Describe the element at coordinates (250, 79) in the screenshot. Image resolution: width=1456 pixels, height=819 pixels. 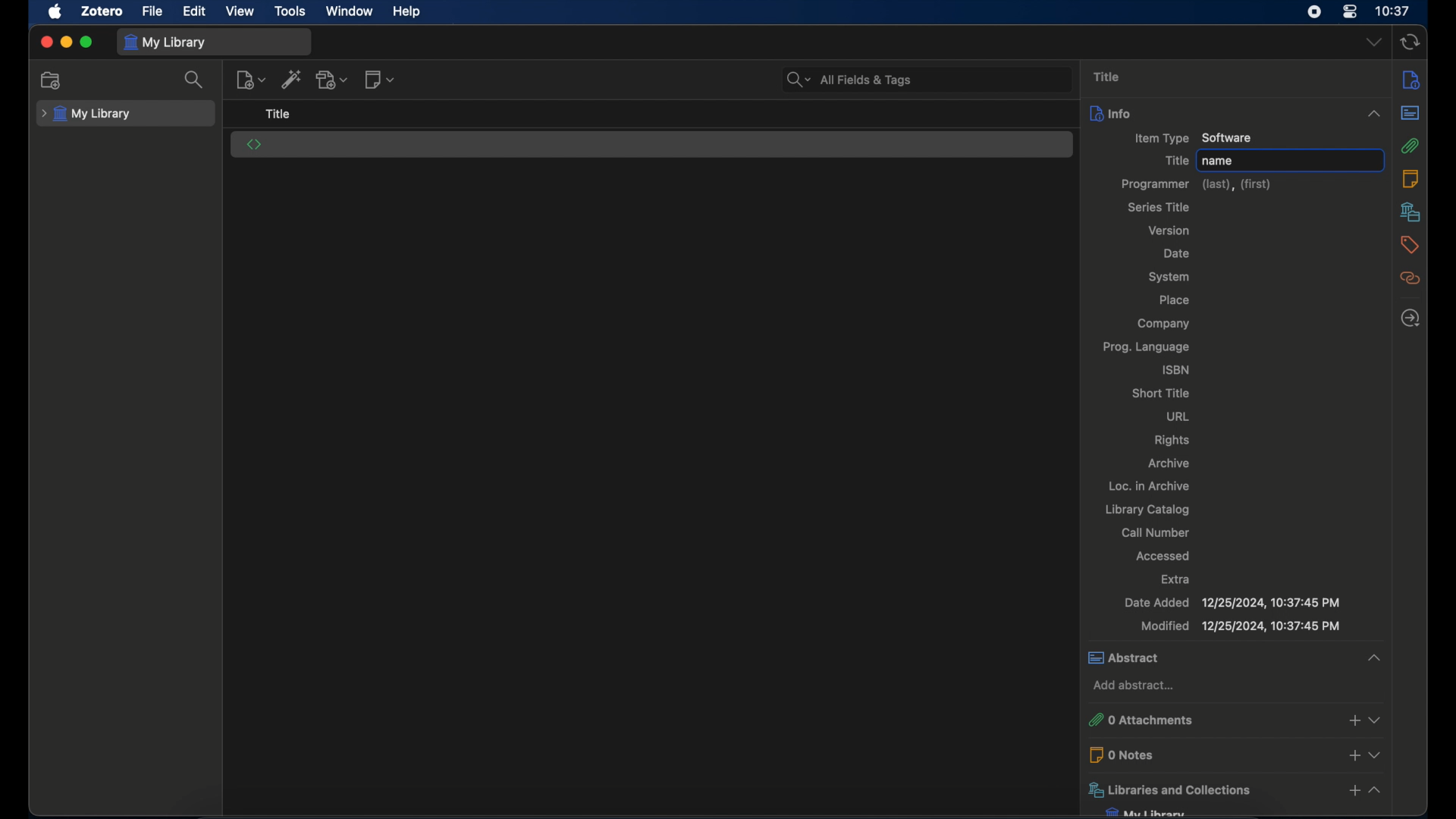
I see `new item` at that location.